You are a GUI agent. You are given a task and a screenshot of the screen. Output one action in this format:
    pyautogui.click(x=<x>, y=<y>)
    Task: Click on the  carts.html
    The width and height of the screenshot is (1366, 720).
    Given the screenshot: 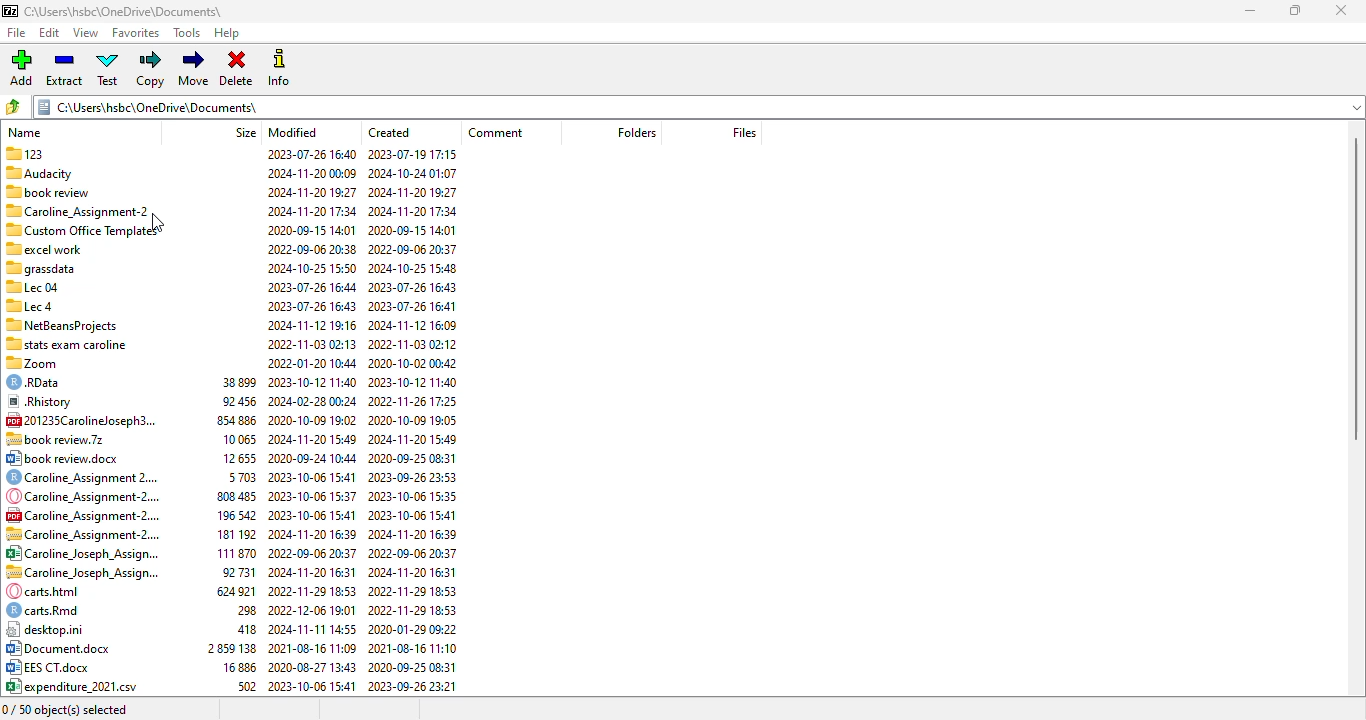 What is the action you would take?
    pyautogui.click(x=51, y=591)
    